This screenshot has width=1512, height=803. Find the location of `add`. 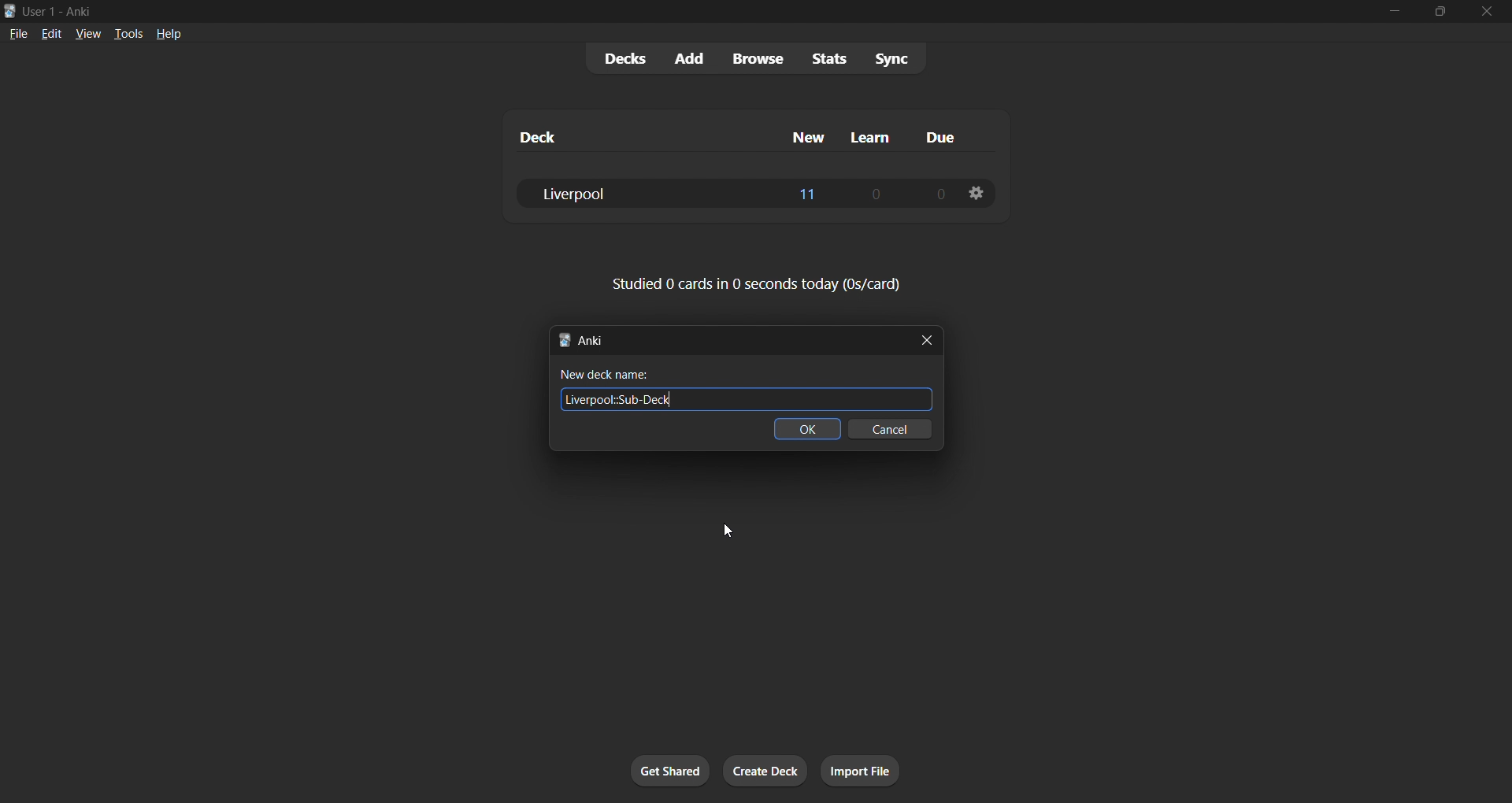

add is located at coordinates (685, 56).